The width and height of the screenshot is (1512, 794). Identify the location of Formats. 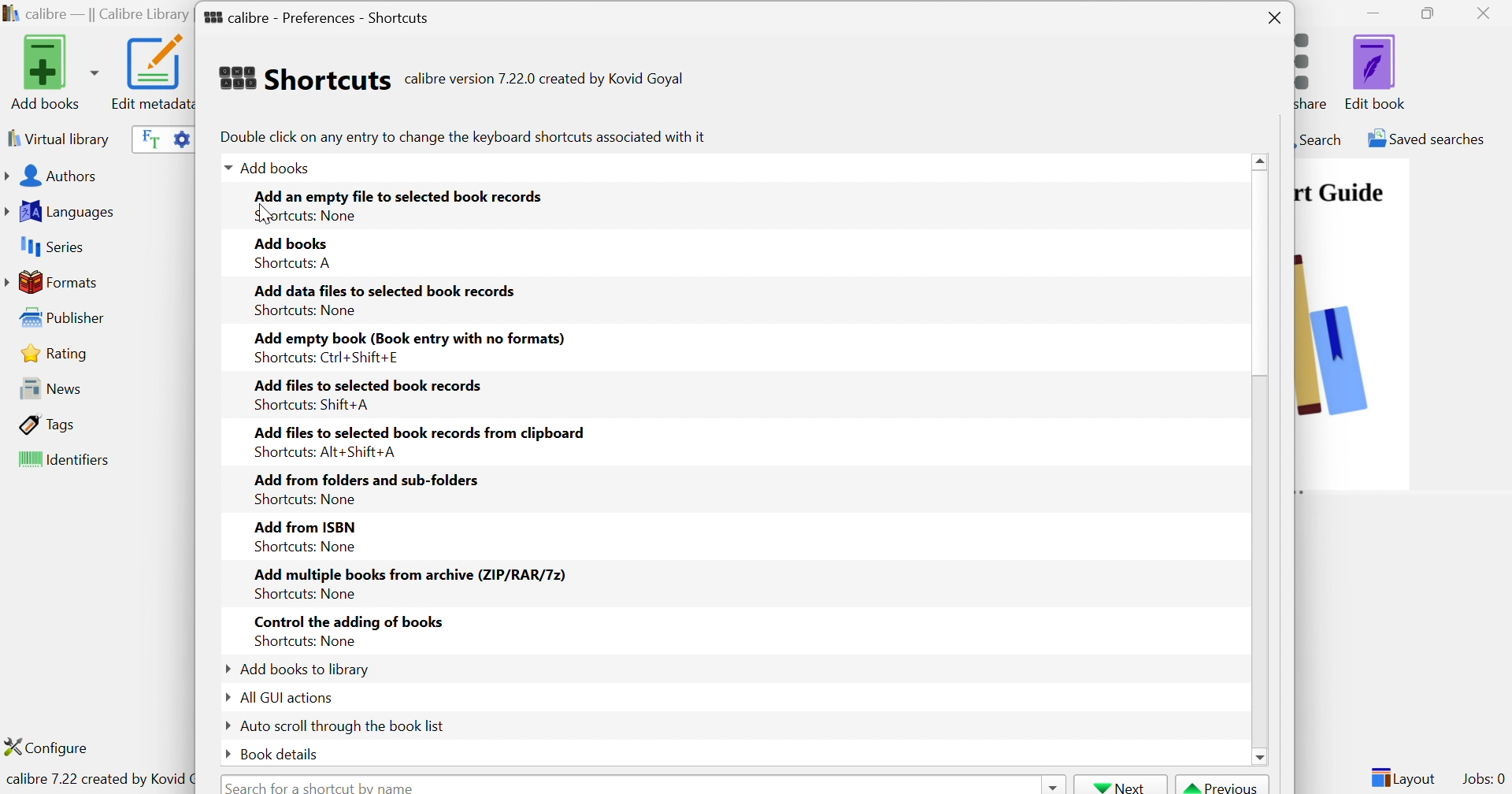
(54, 282).